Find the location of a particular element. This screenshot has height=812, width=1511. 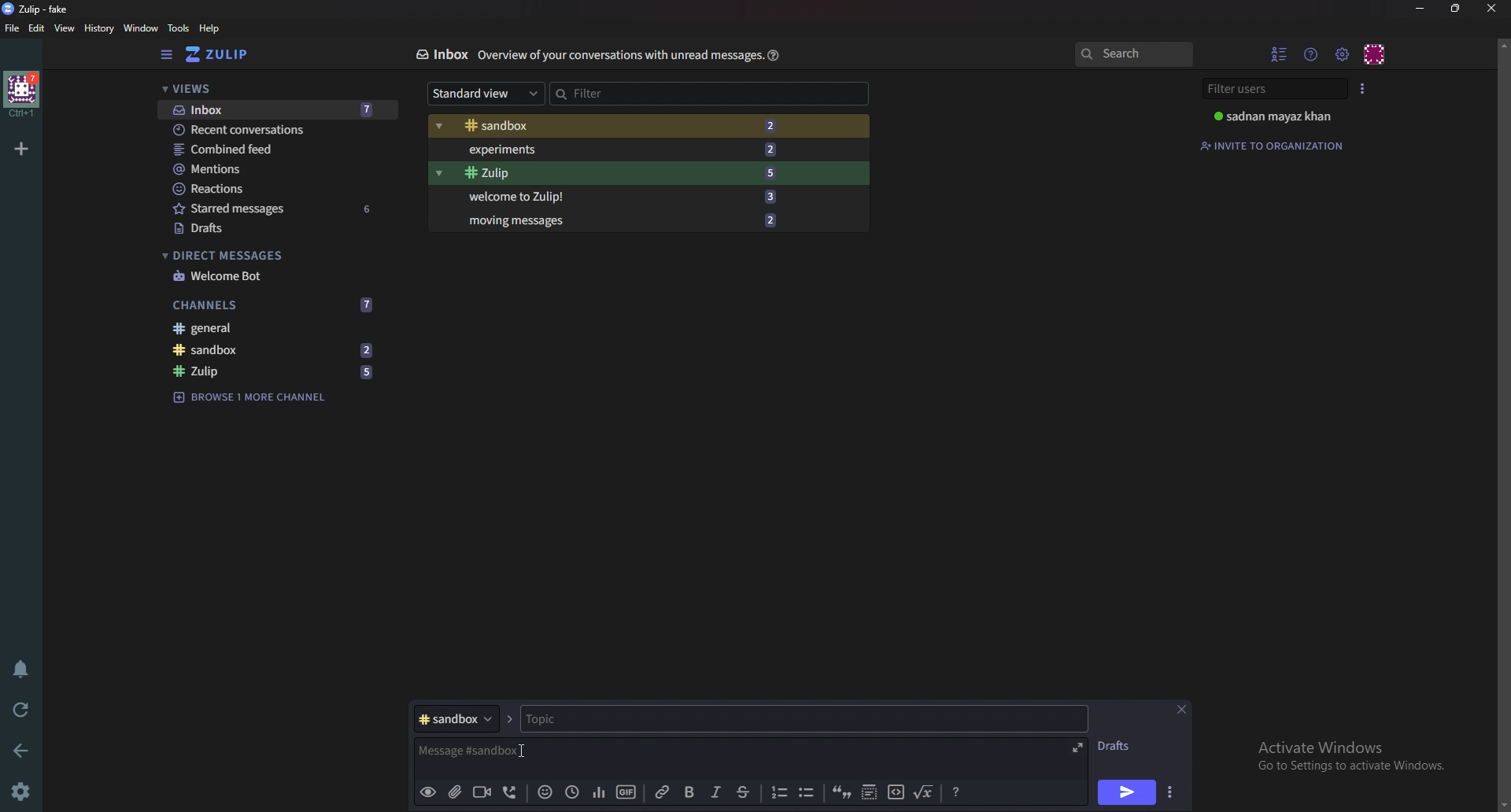

Drafts is located at coordinates (272, 228).